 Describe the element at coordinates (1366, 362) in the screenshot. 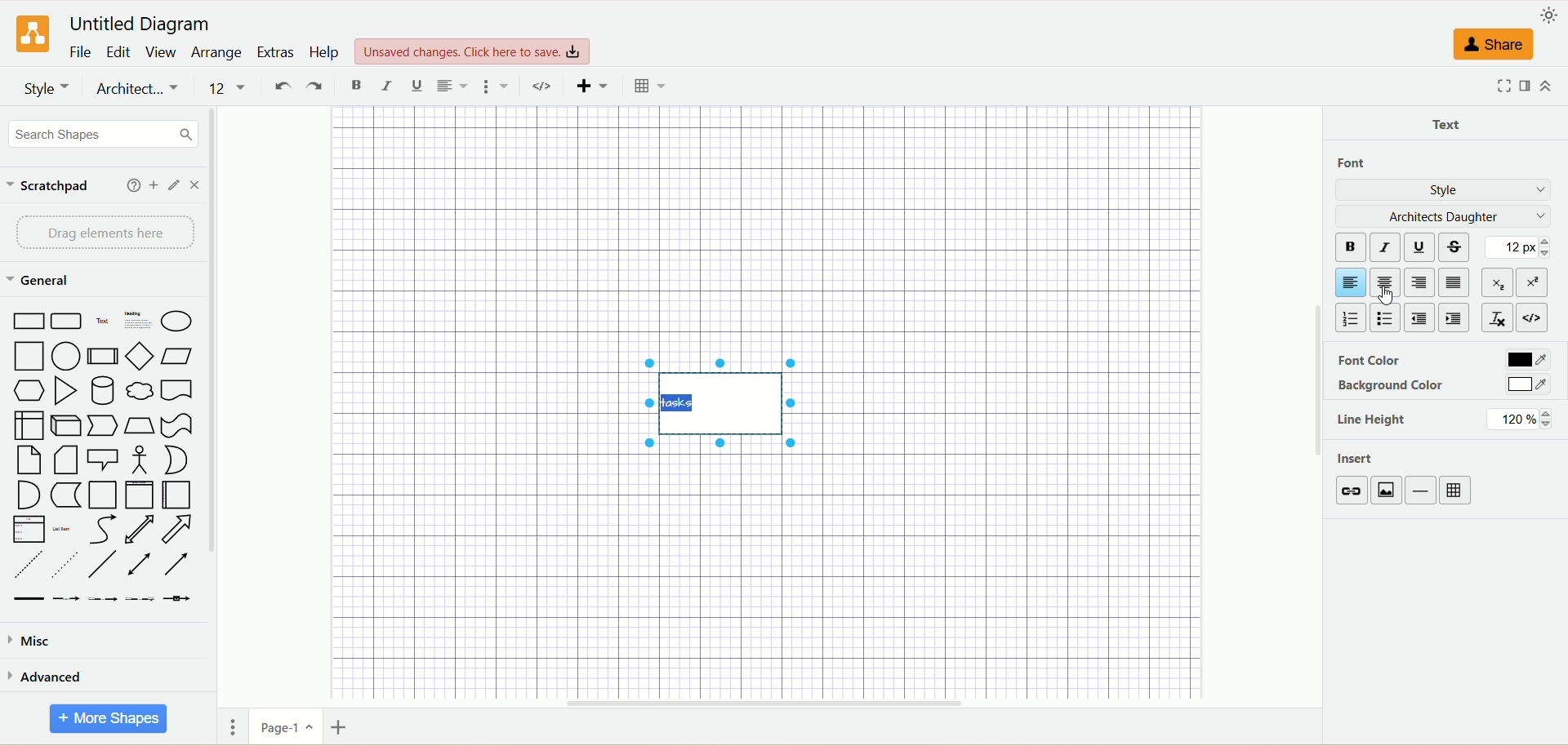

I see `font color` at that location.